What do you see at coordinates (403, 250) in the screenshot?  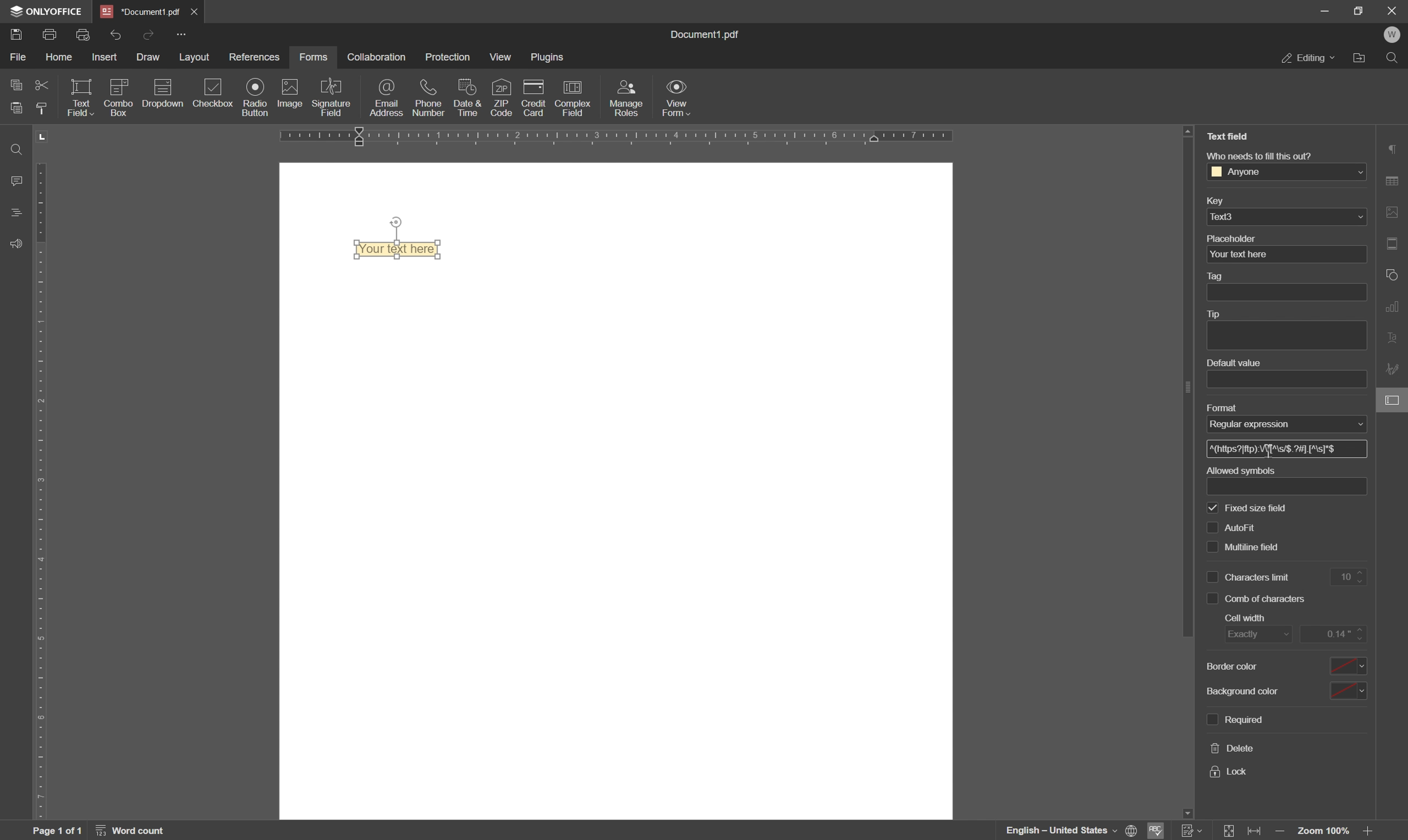 I see `Text field` at bounding box center [403, 250].